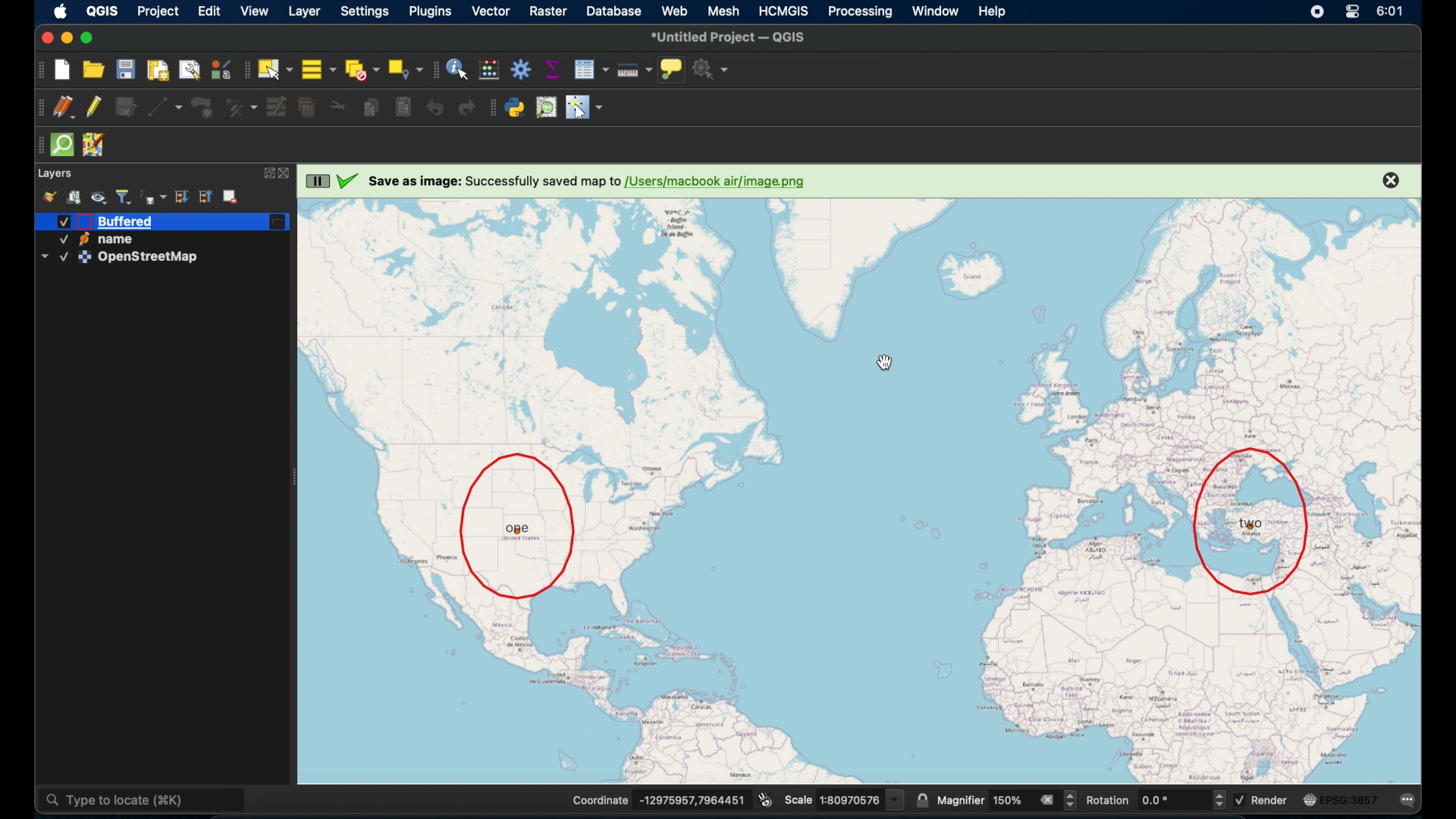 The height and width of the screenshot is (819, 1456). What do you see at coordinates (267, 174) in the screenshot?
I see `expand` at bounding box center [267, 174].